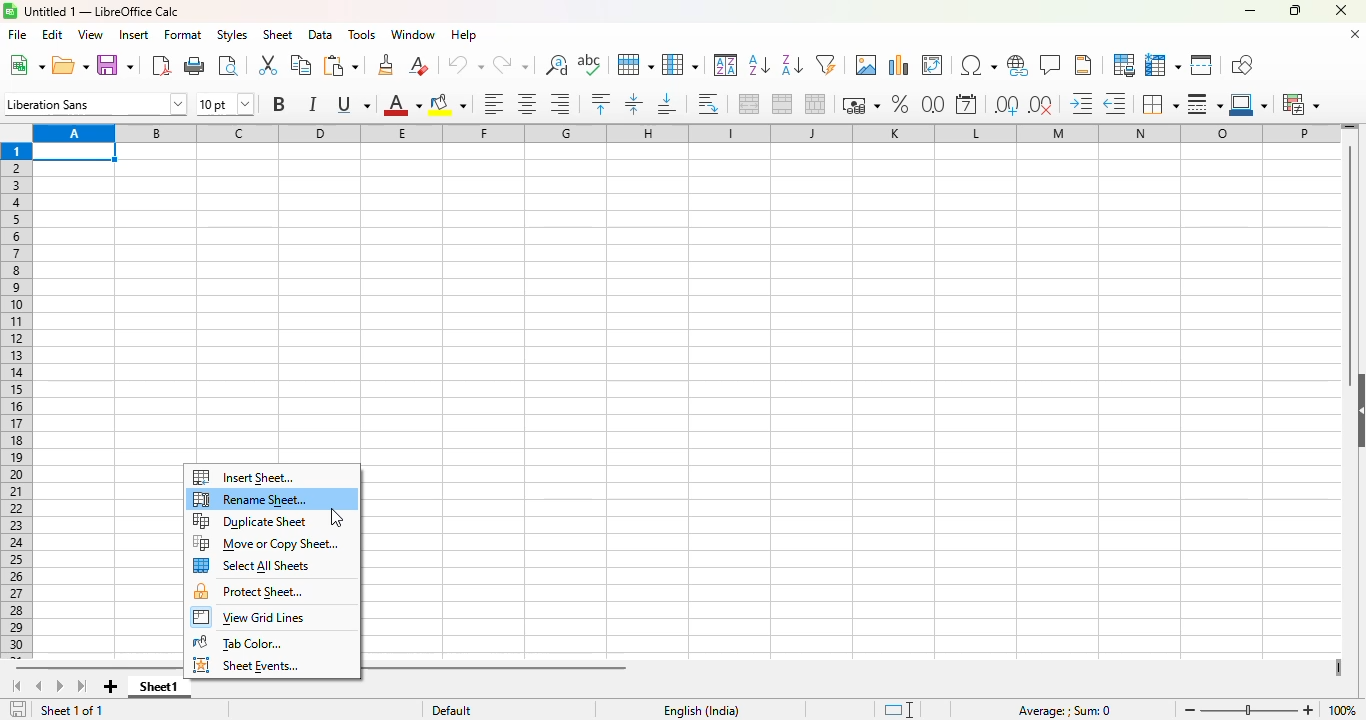  What do you see at coordinates (1299, 104) in the screenshot?
I see `conditional` at bounding box center [1299, 104].